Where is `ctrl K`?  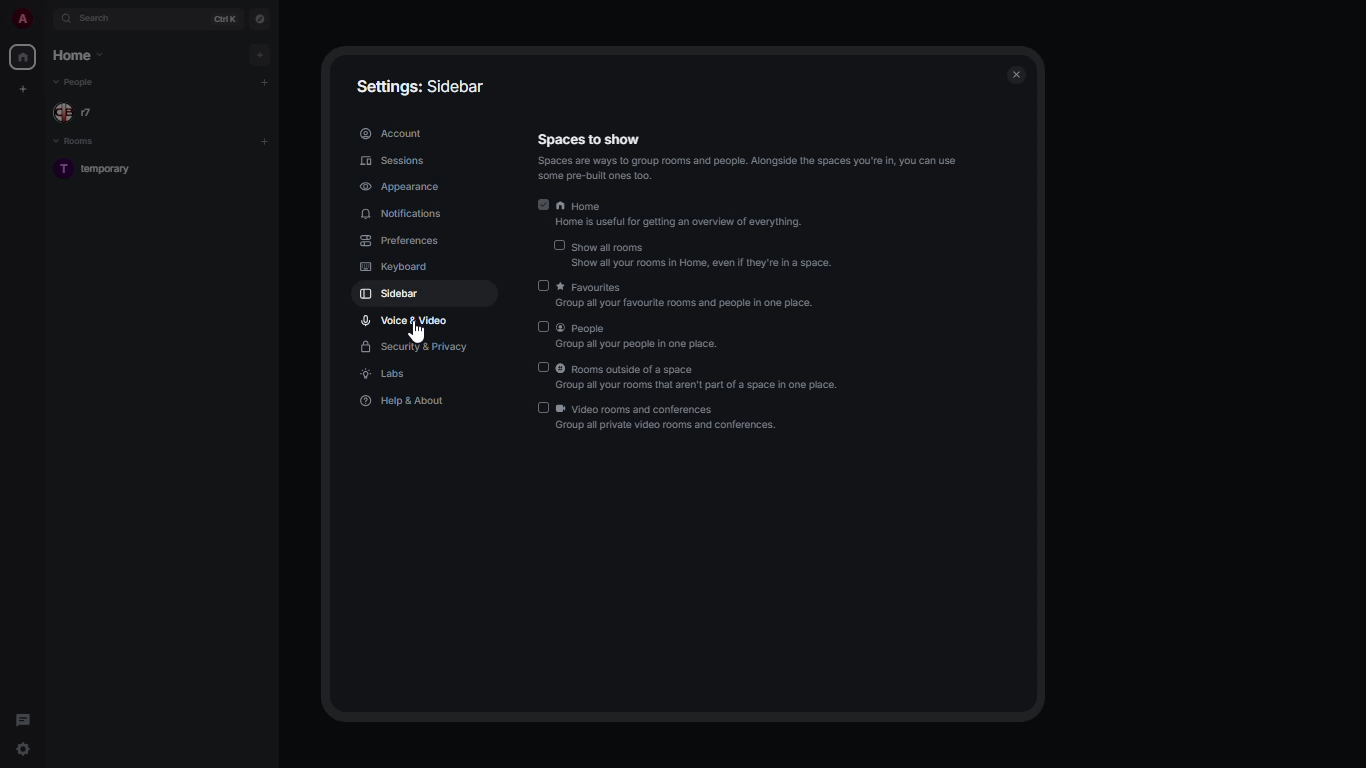 ctrl K is located at coordinates (224, 19).